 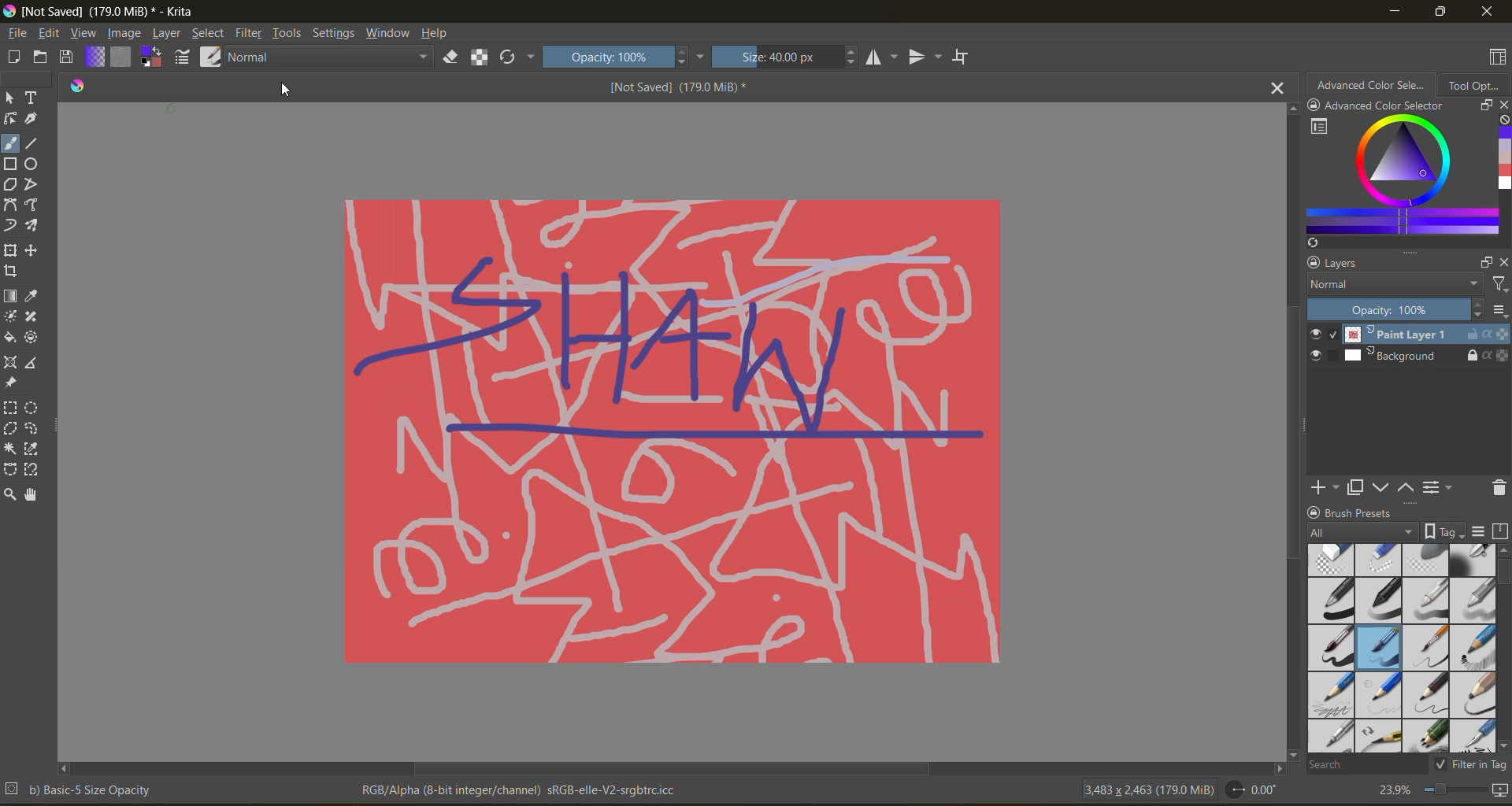 What do you see at coordinates (248, 33) in the screenshot?
I see `filters` at bounding box center [248, 33].